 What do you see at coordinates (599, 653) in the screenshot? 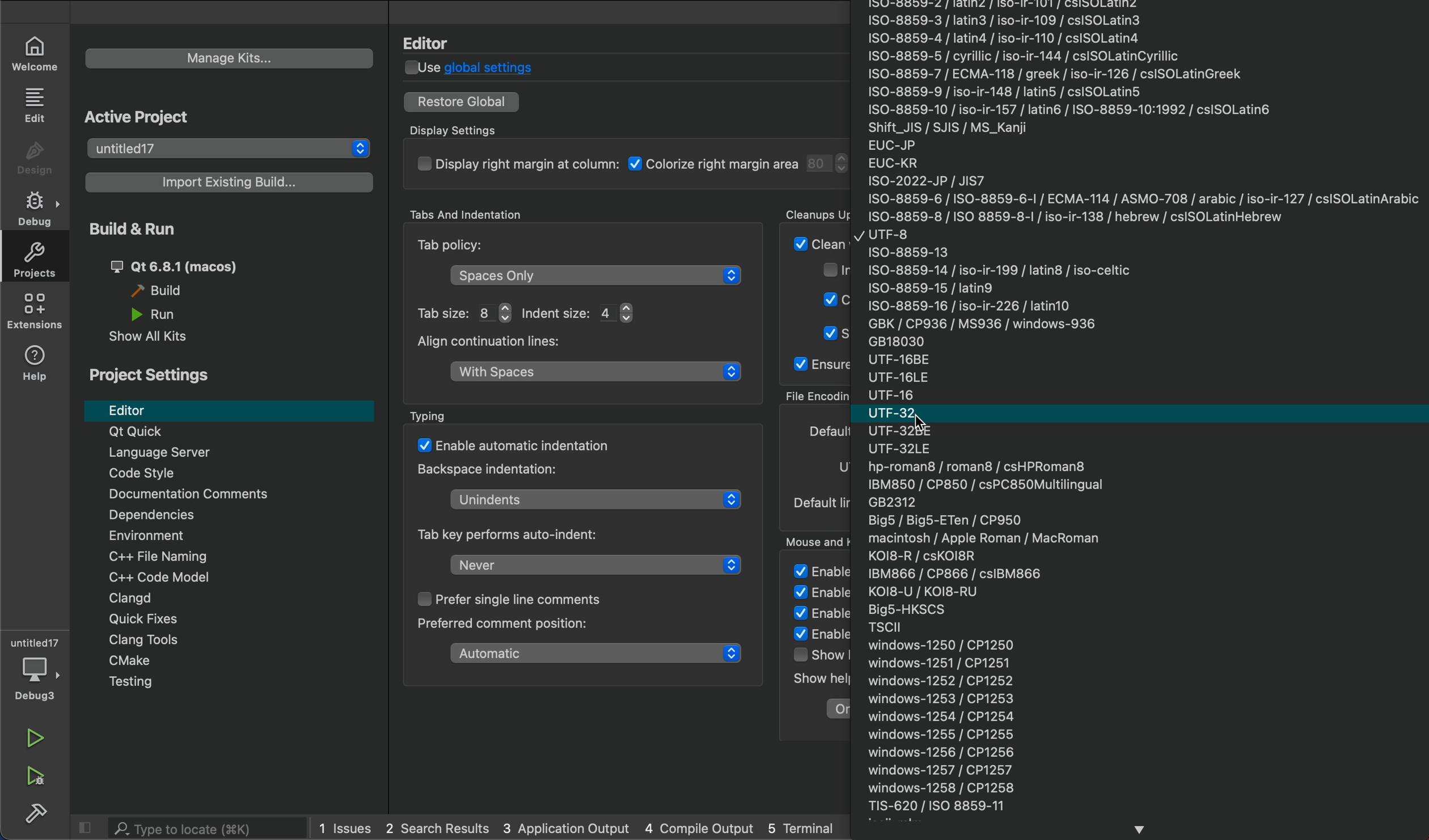
I see `comment position ` at bounding box center [599, 653].